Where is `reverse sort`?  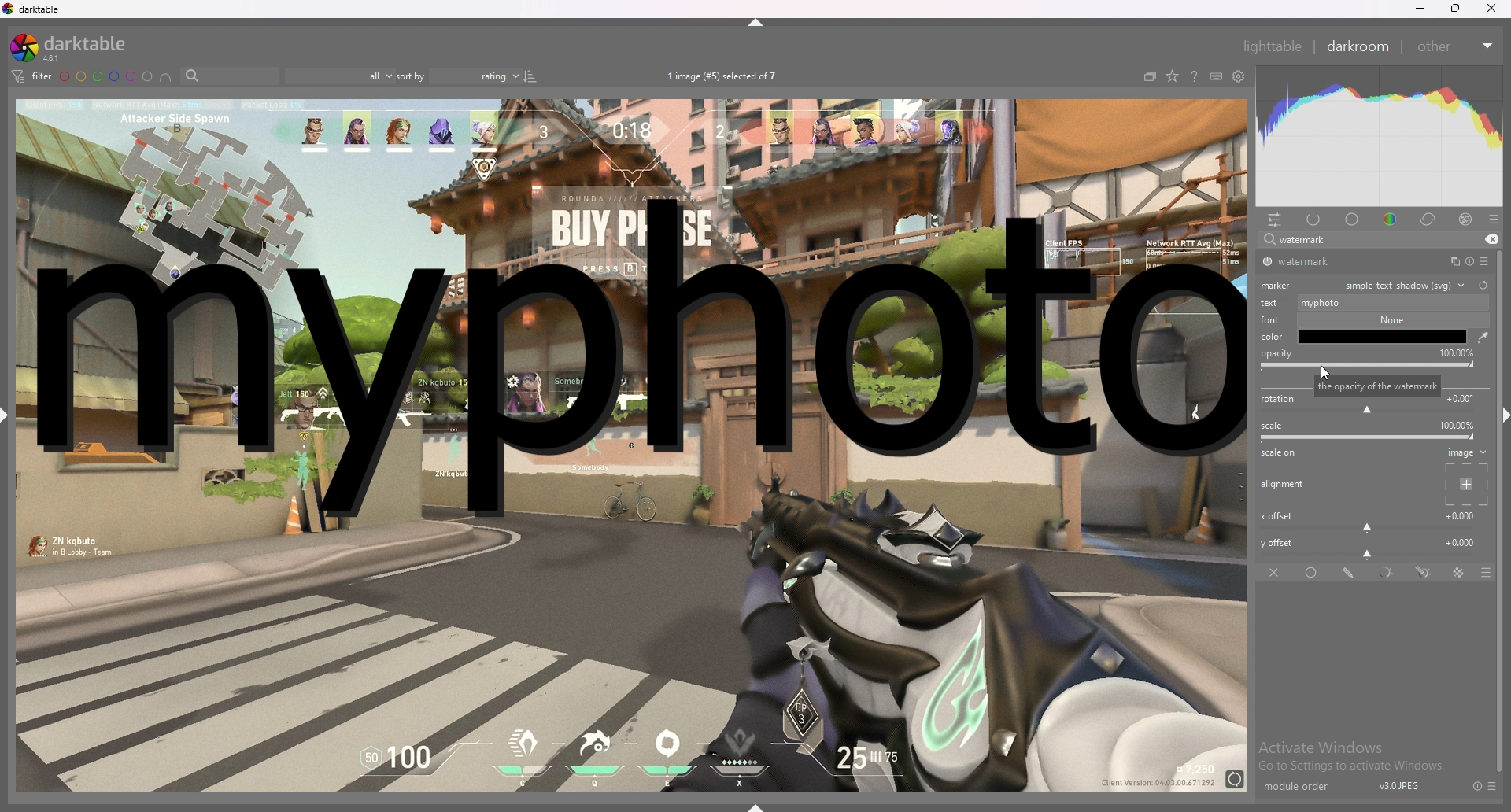 reverse sort is located at coordinates (530, 76).